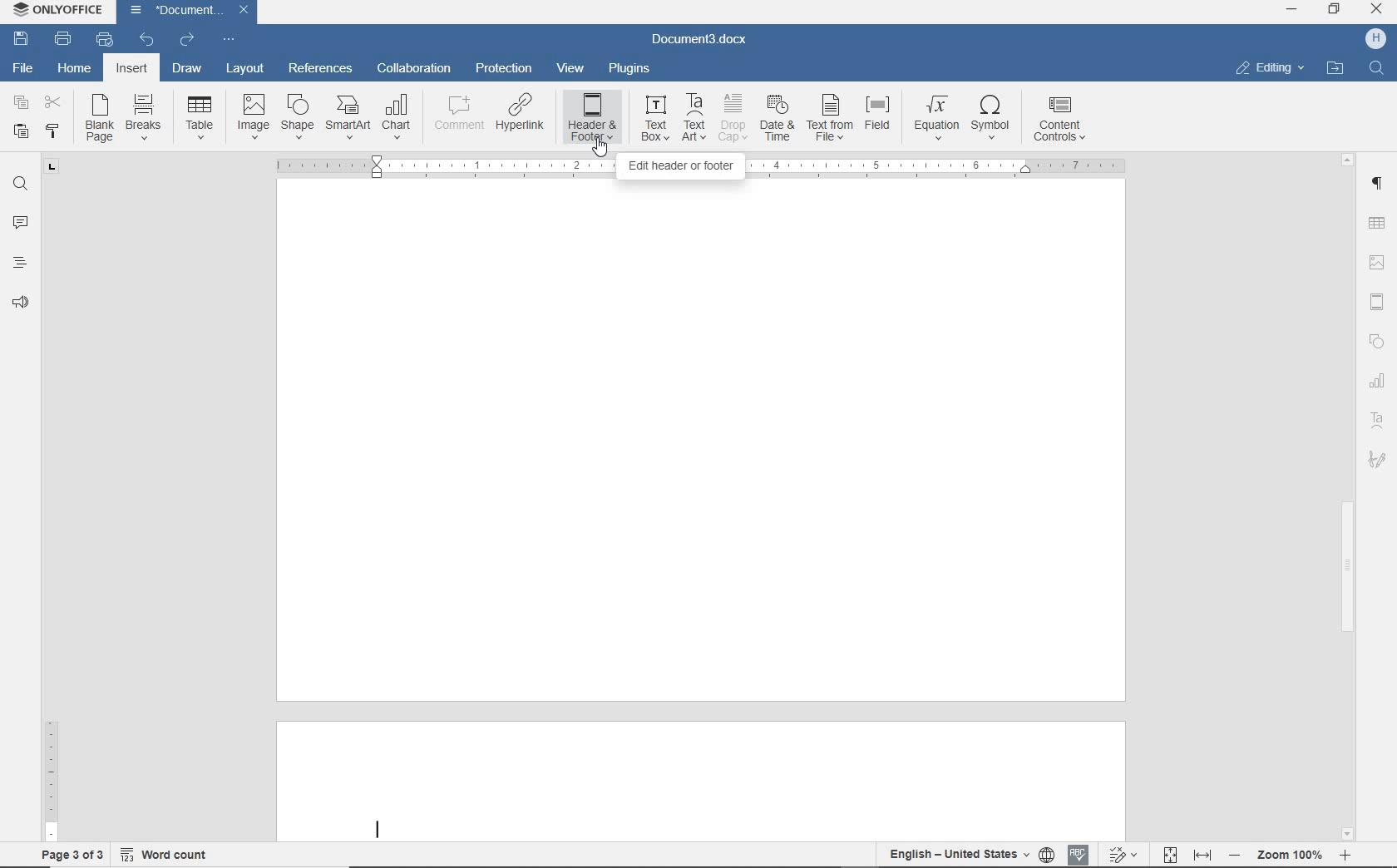  I want to click on HEADINGS, so click(17, 264).